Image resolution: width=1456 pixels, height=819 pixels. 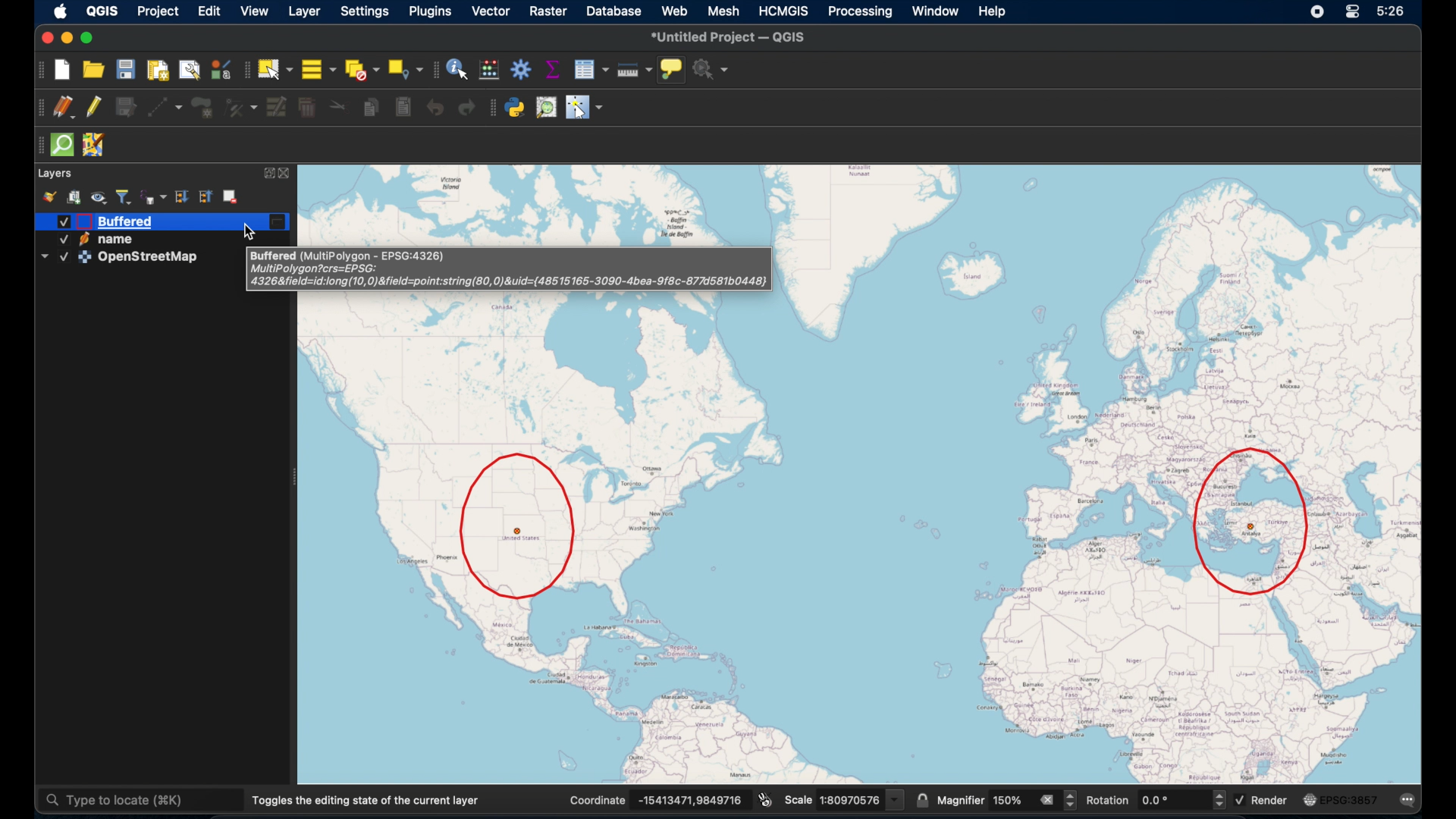 I want to click on style manager, so click(x=221, y=68).